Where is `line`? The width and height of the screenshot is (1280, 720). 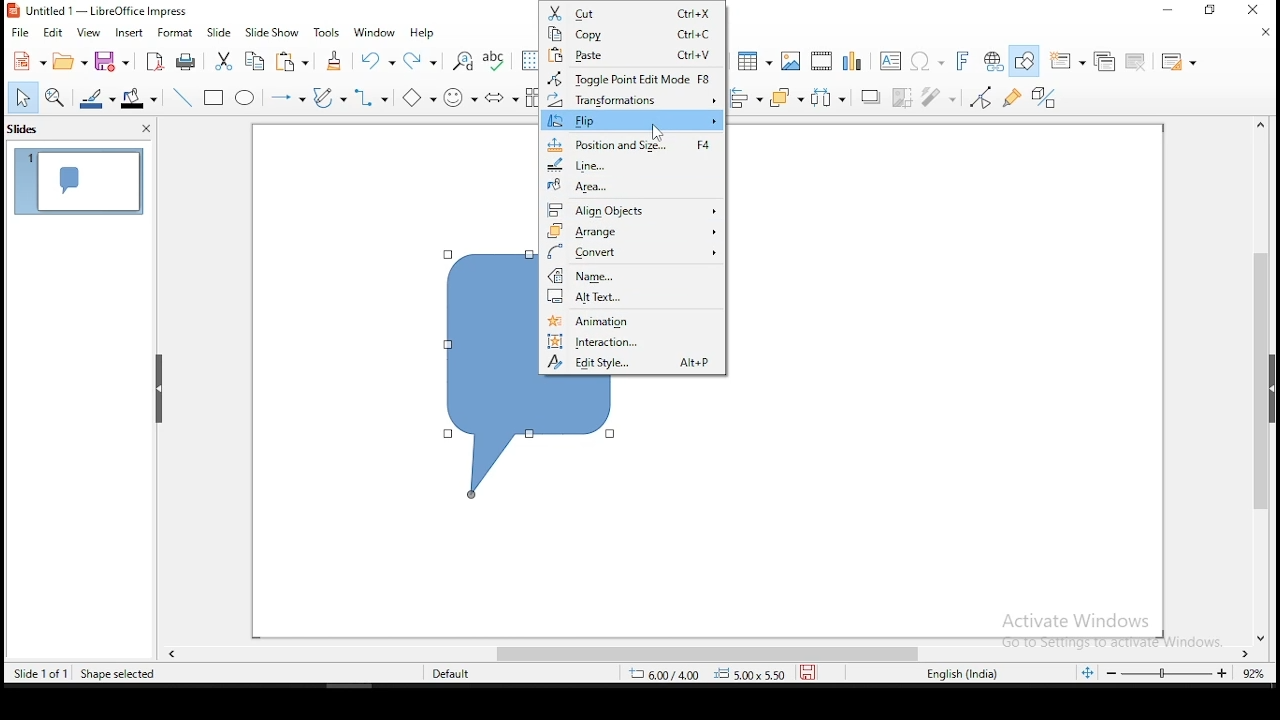 line is located at coordinates (183, 98).